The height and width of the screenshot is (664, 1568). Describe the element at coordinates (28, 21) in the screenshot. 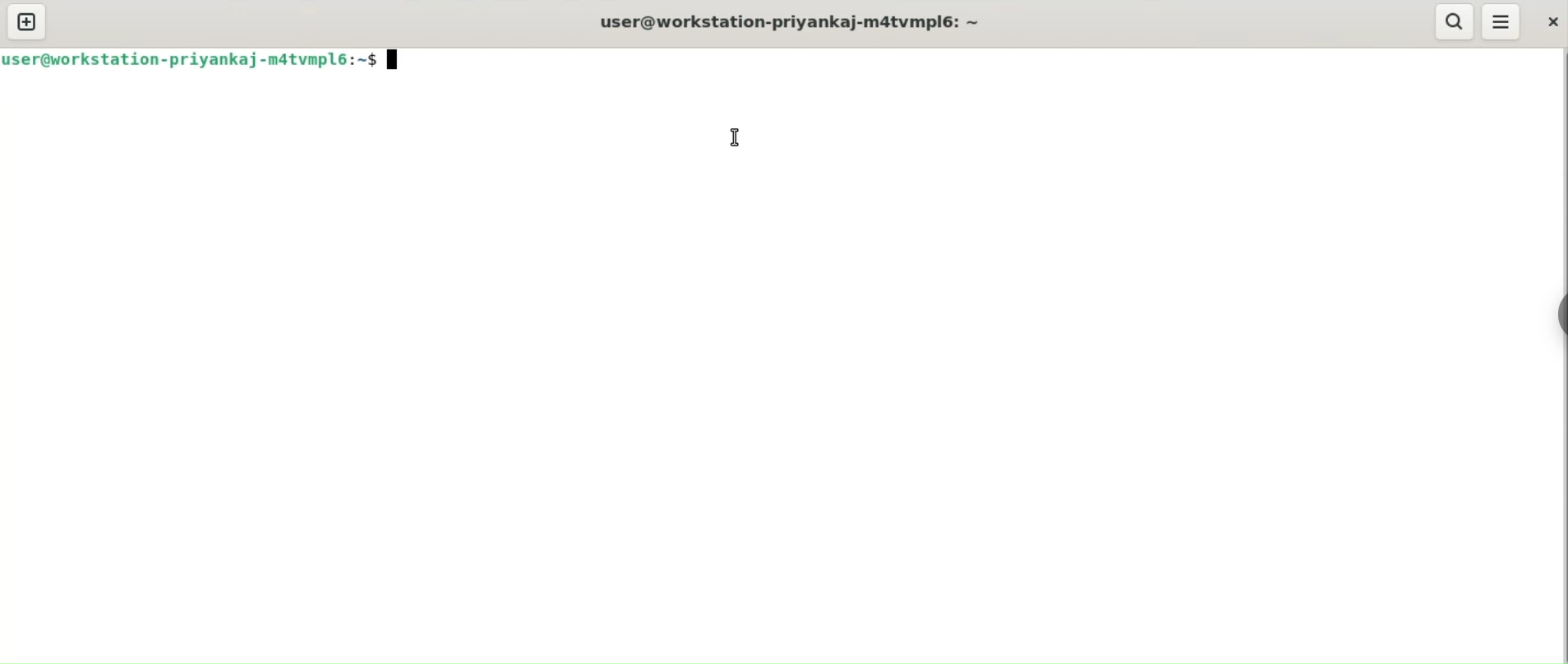

I see `new tab` at that location.